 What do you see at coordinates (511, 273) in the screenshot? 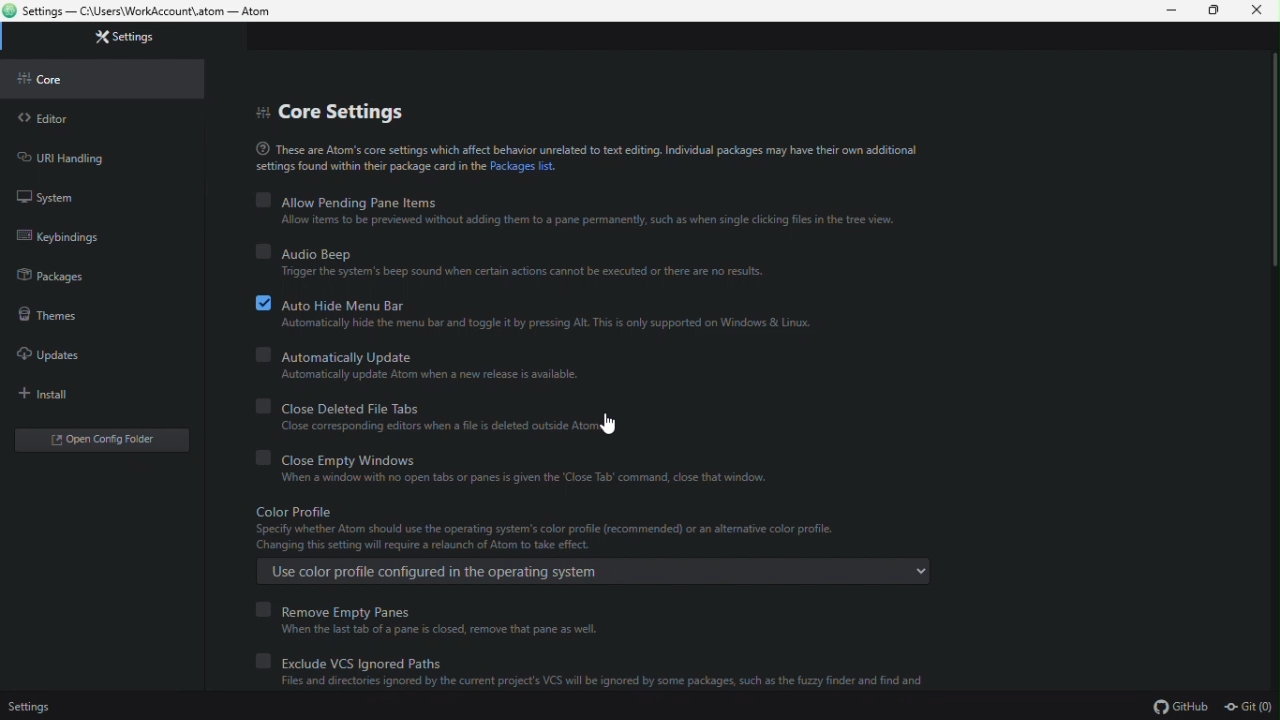
I see `‘Trigger the system's beep sound when certain actions cannot be executed or there are no results.` at bounding box center [511, 273].